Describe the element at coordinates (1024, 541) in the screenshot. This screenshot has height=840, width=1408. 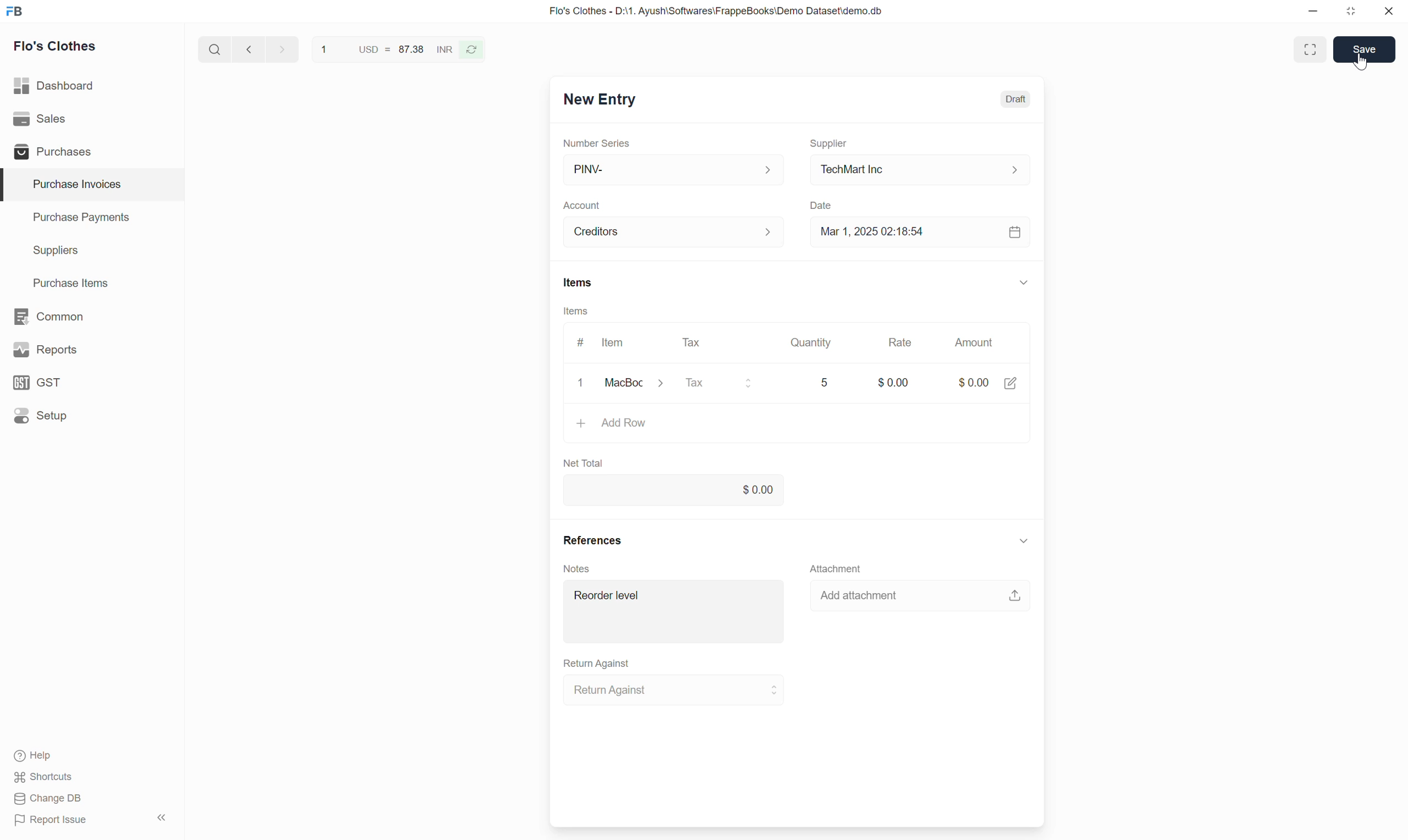
I see `Collapse` at that location.